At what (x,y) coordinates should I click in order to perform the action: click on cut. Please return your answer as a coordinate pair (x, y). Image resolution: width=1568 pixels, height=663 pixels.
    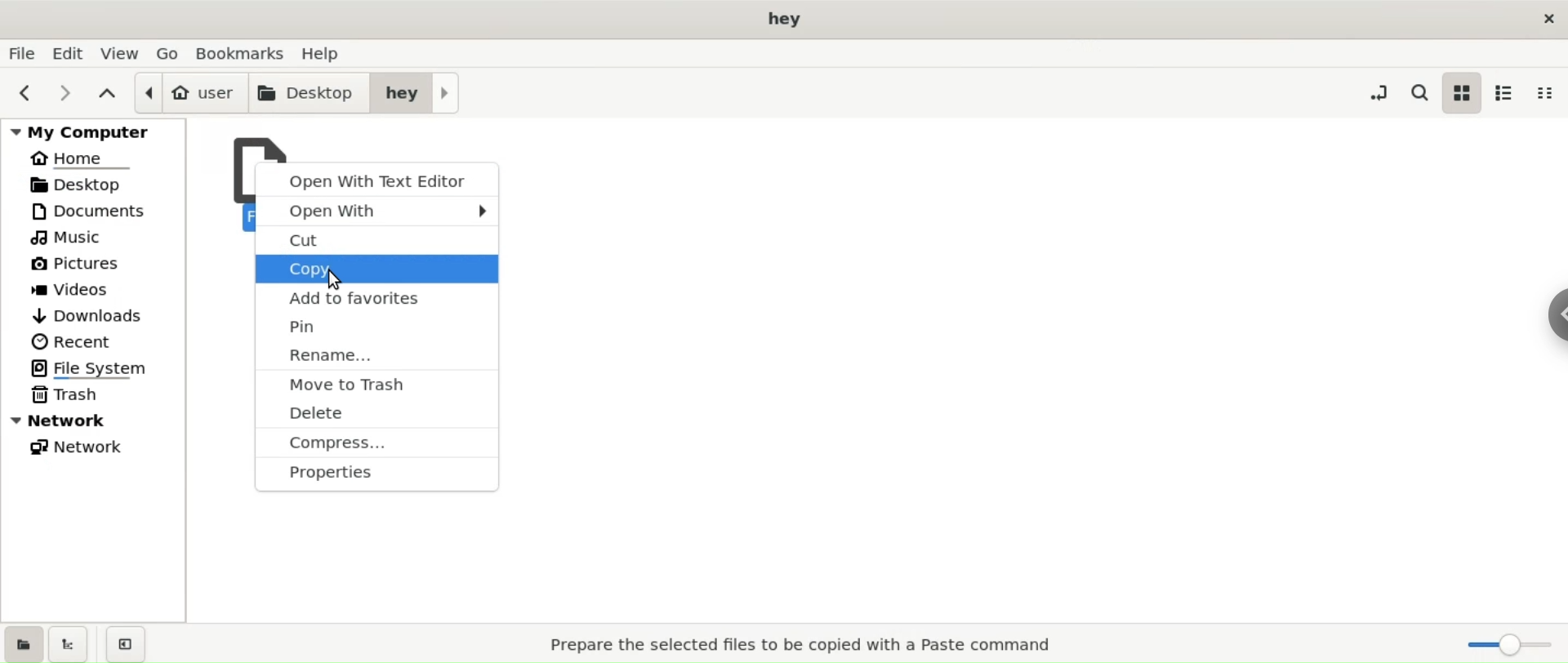
    Looking at the image, I should click on (378, 242).